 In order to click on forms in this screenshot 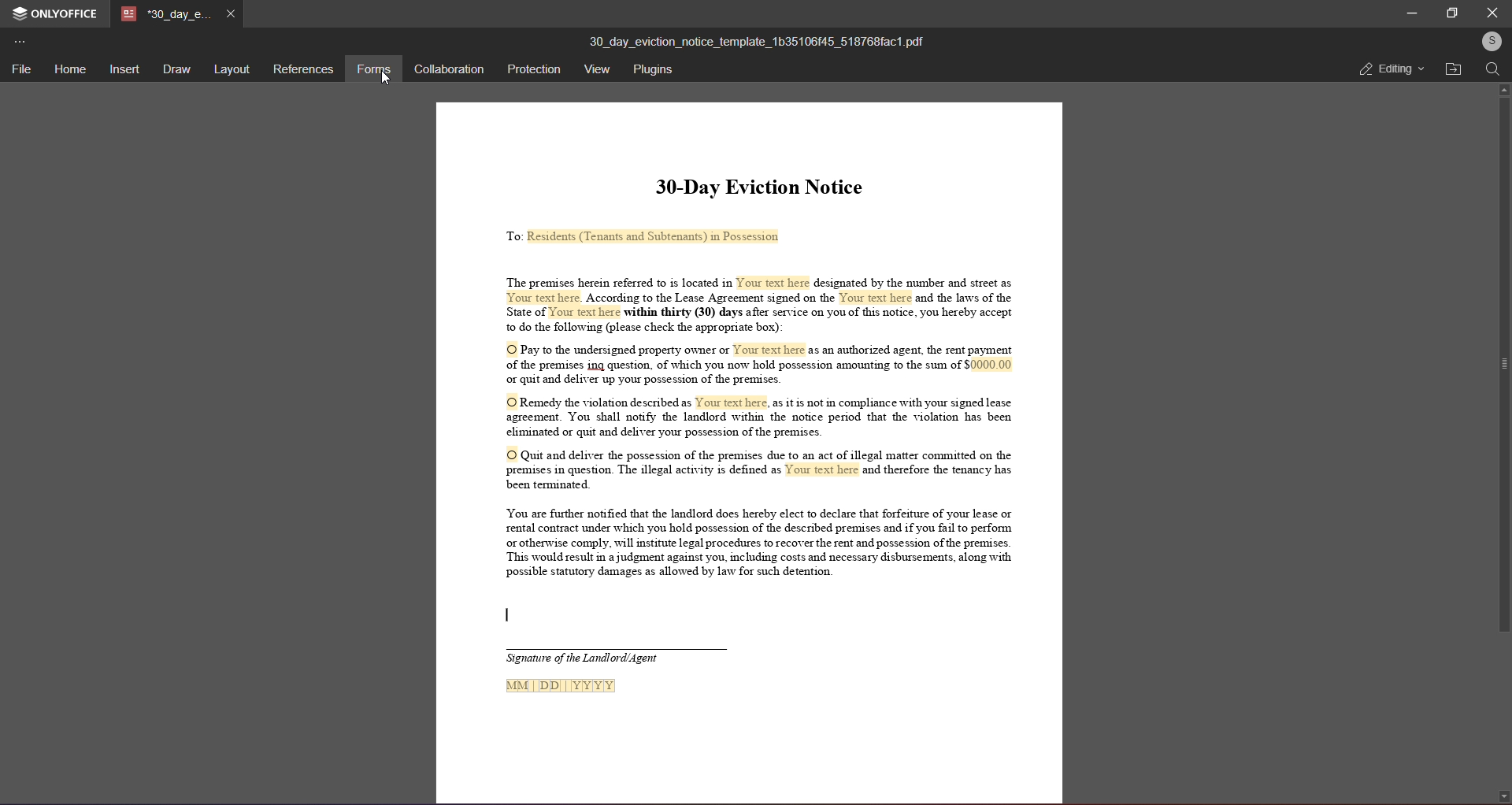, I will do `click(376, 67)`.